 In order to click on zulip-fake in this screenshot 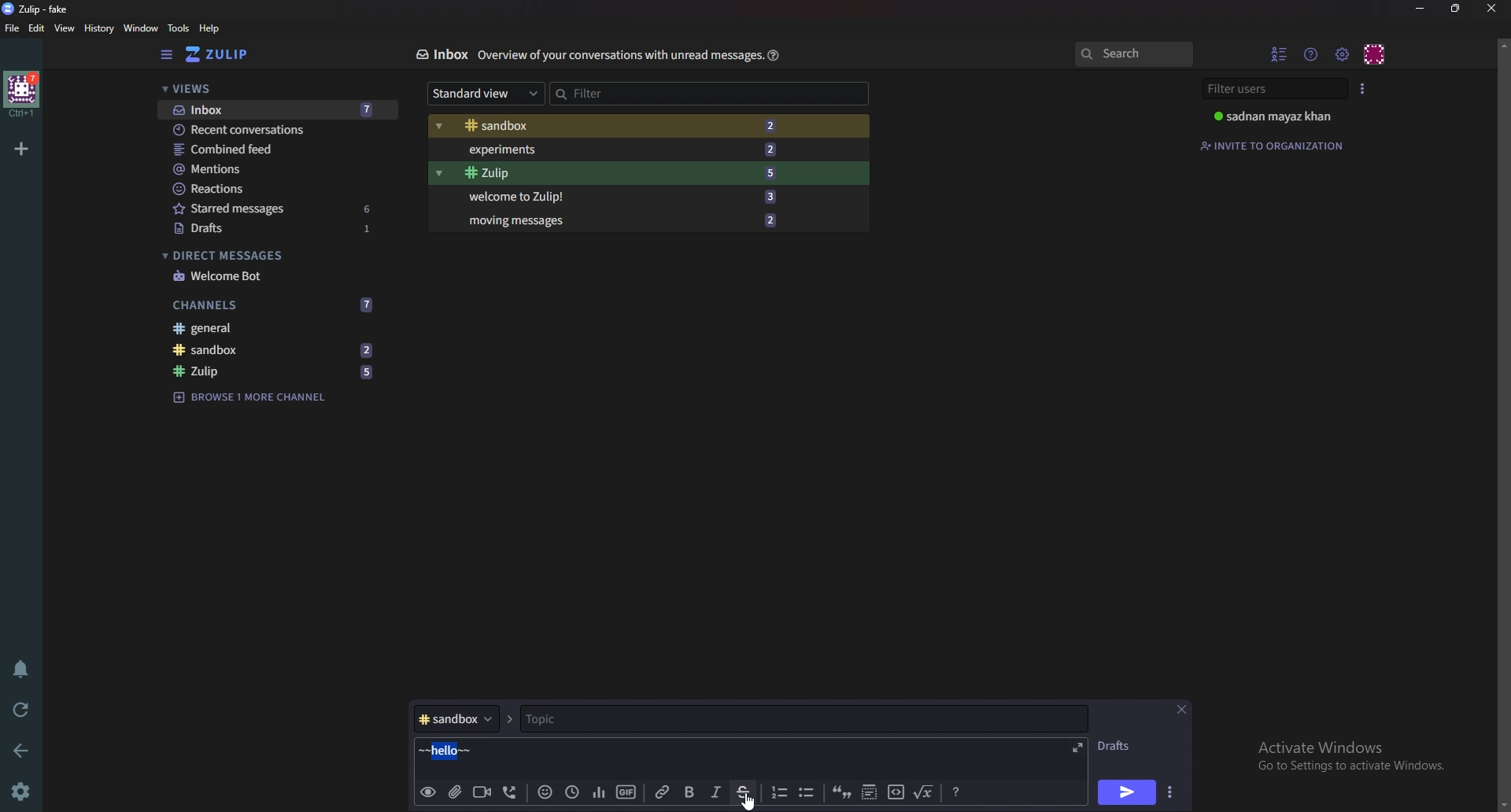, I will do `click(41, 9)`.